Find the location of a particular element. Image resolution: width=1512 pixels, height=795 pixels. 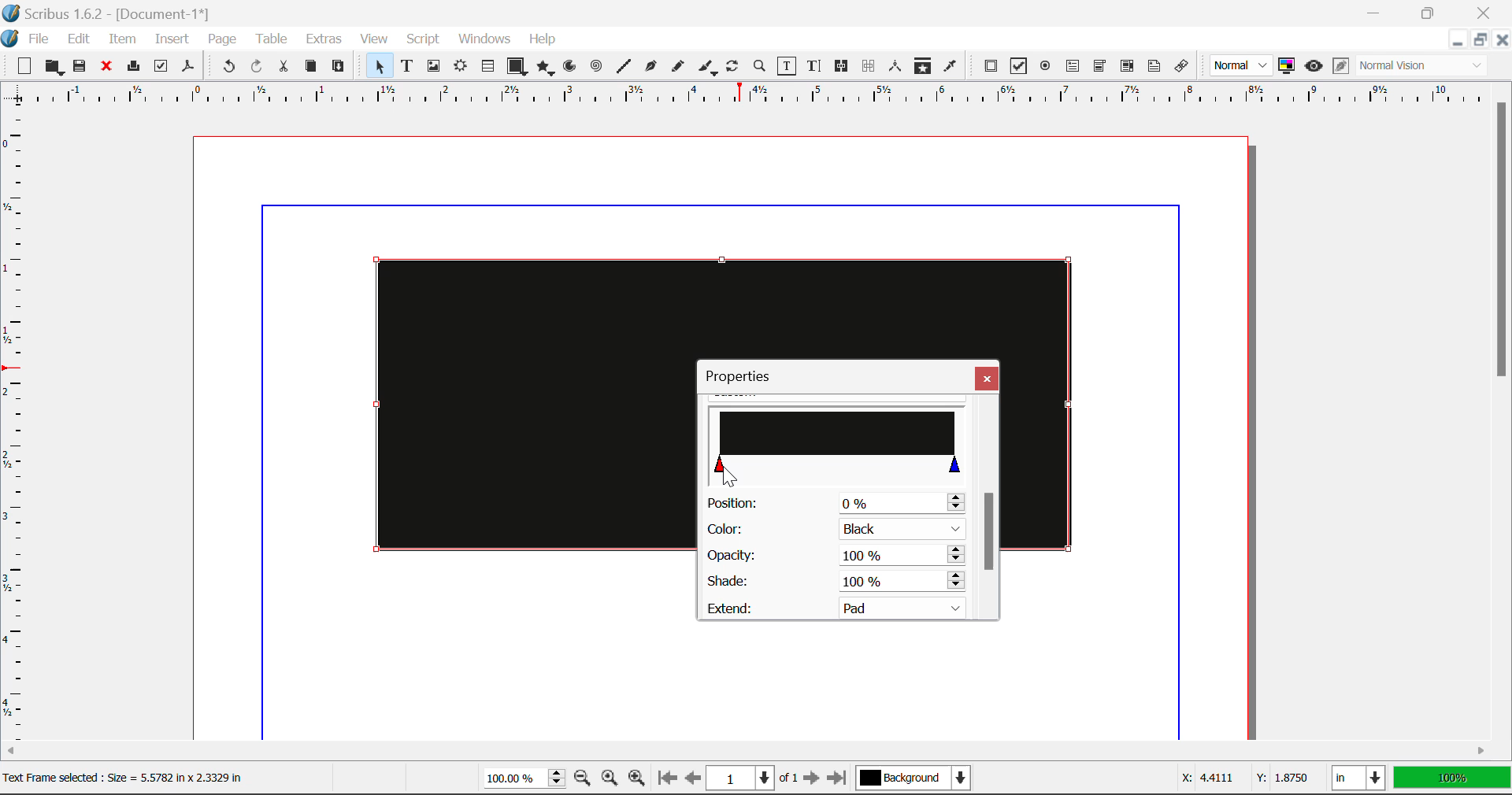

Freehand is located at coordinates (679, 70).